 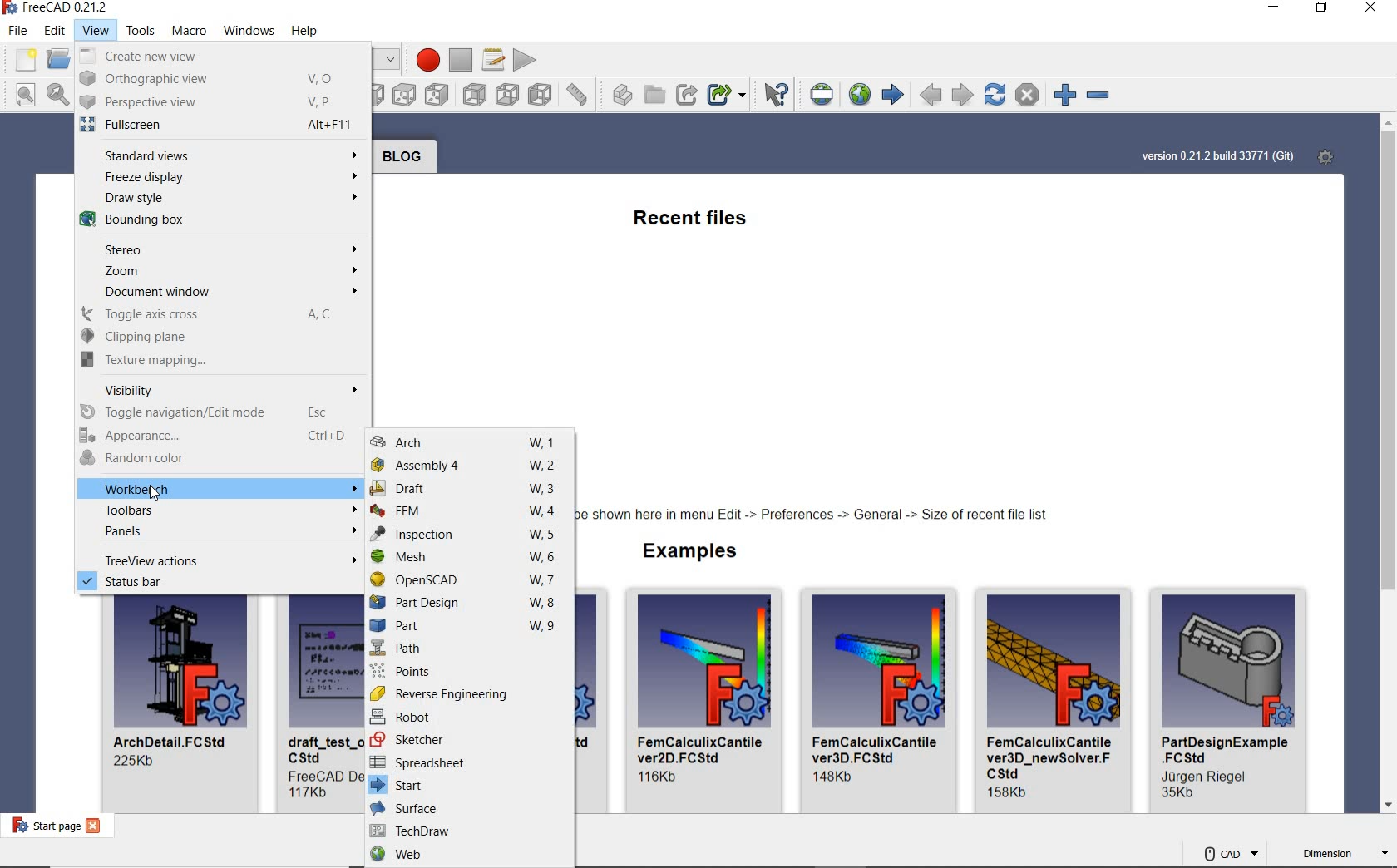 I want to click on orthographic view, so click(x=220, y=80).